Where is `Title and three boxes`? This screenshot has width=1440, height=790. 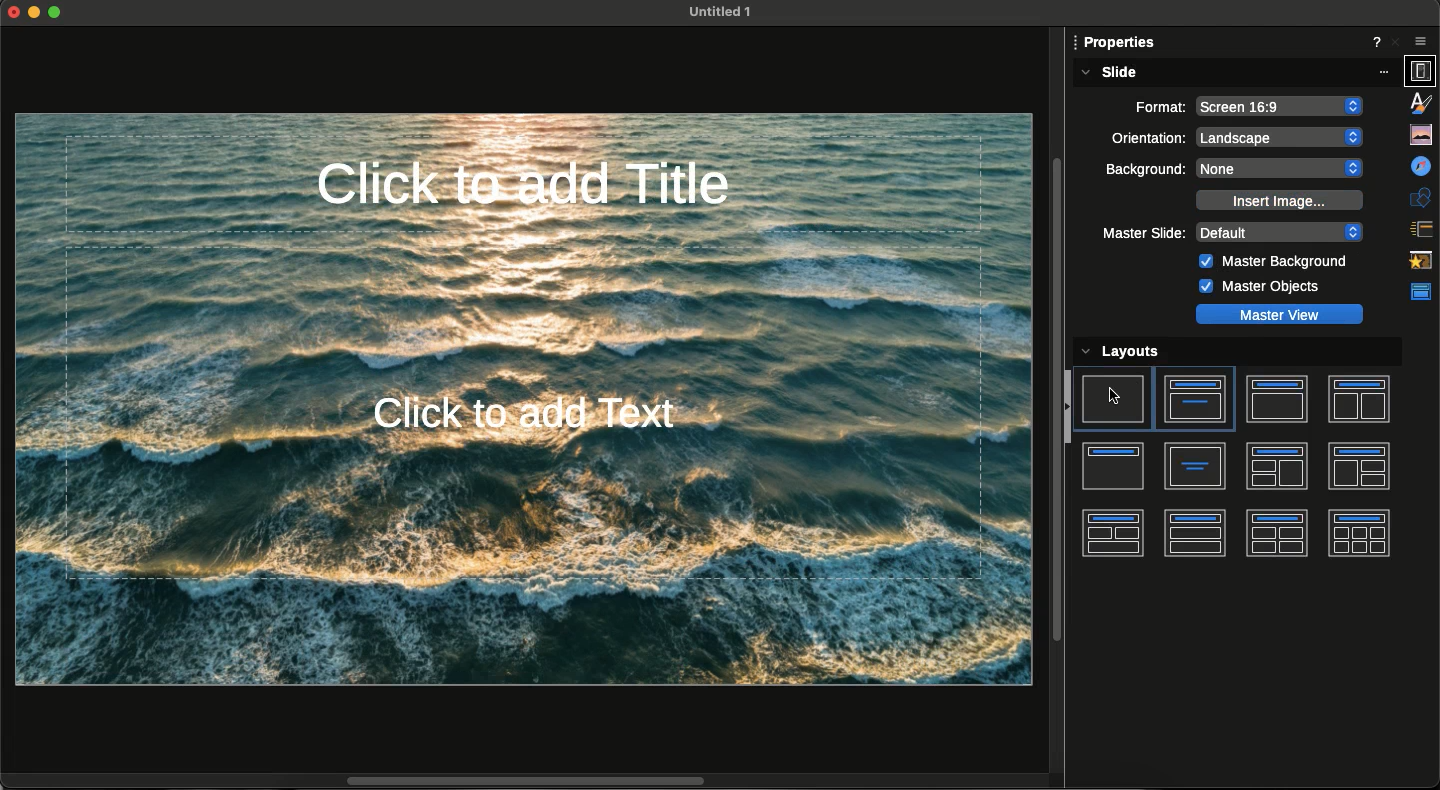 Title and three boxes is located at coordinates (1359, 466).